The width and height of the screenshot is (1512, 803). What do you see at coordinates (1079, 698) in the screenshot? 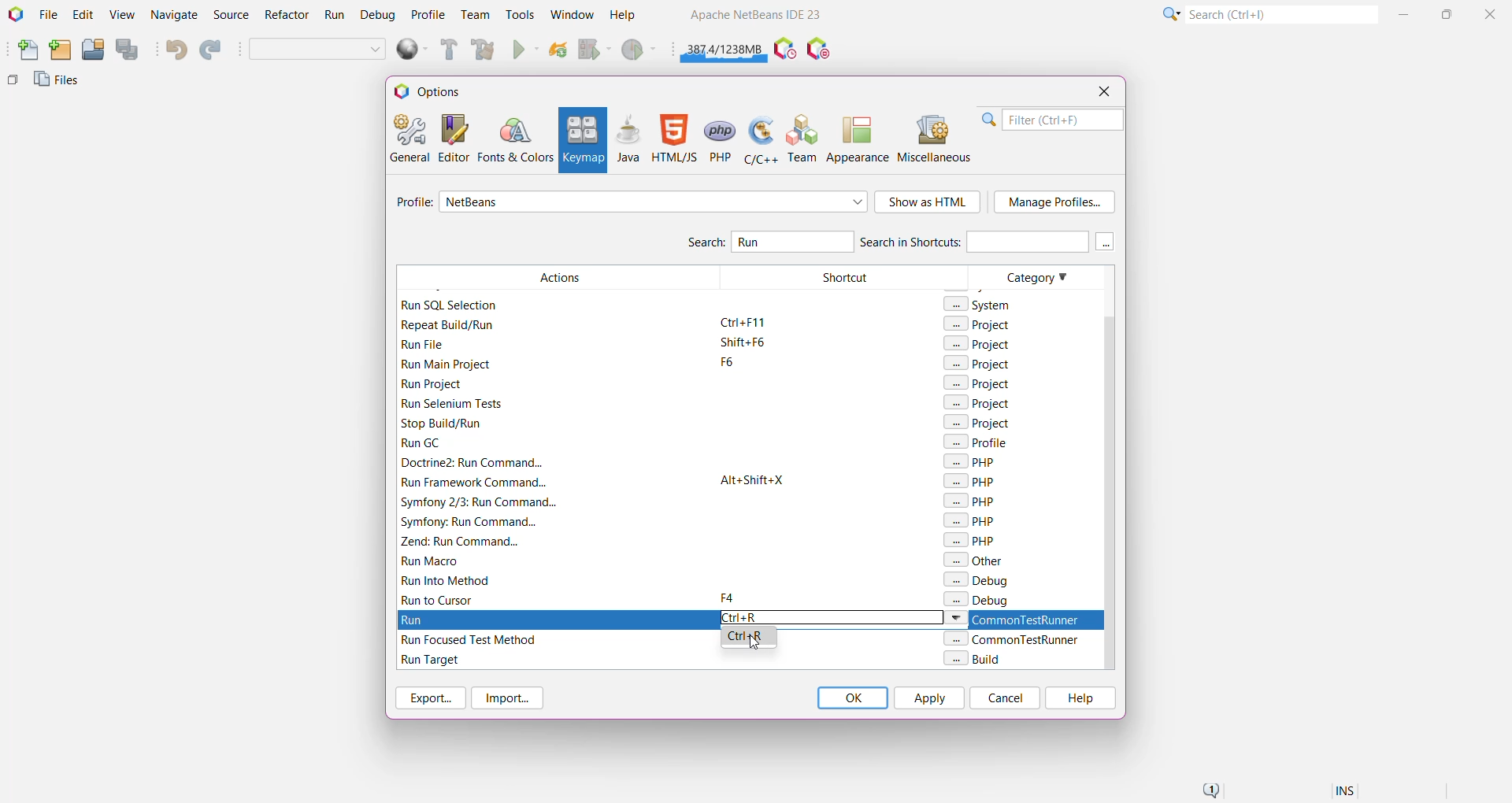
I see `Help` at bounding box center [1079, 698].